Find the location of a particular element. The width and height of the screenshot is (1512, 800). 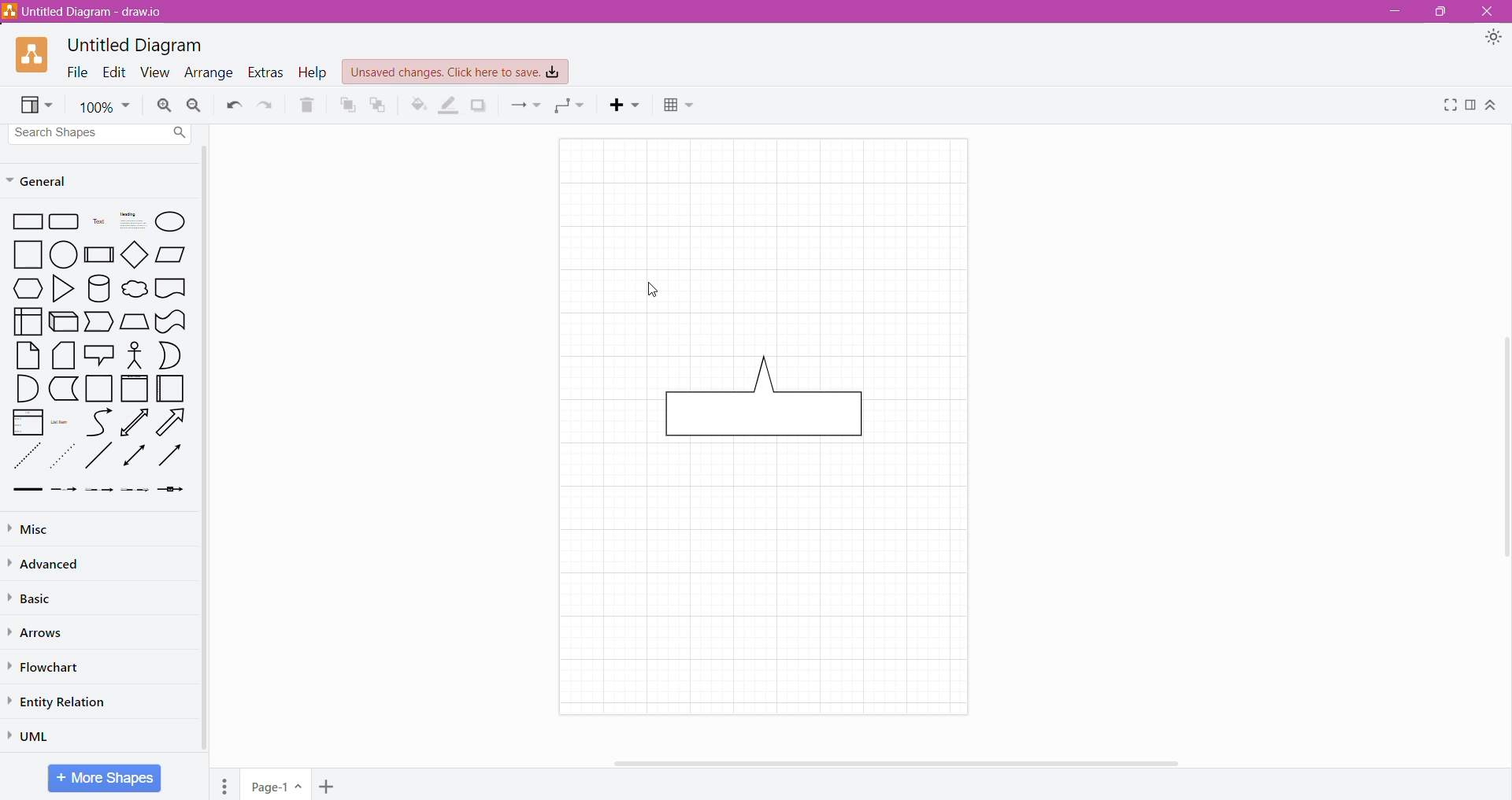

Cursor is located at coordinates (649, 289).